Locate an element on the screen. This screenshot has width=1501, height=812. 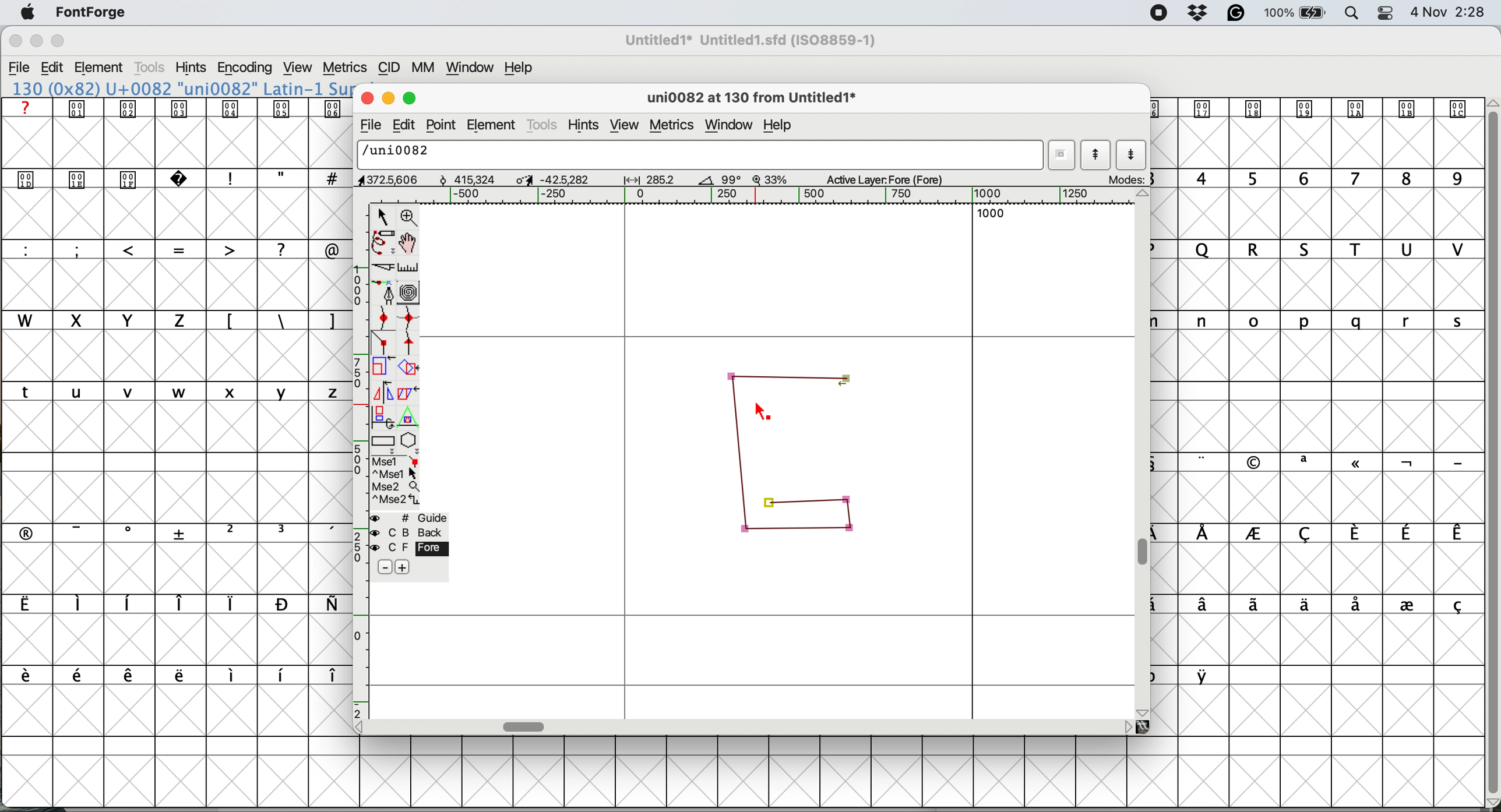
minimise is located at coordinates (386, 97).